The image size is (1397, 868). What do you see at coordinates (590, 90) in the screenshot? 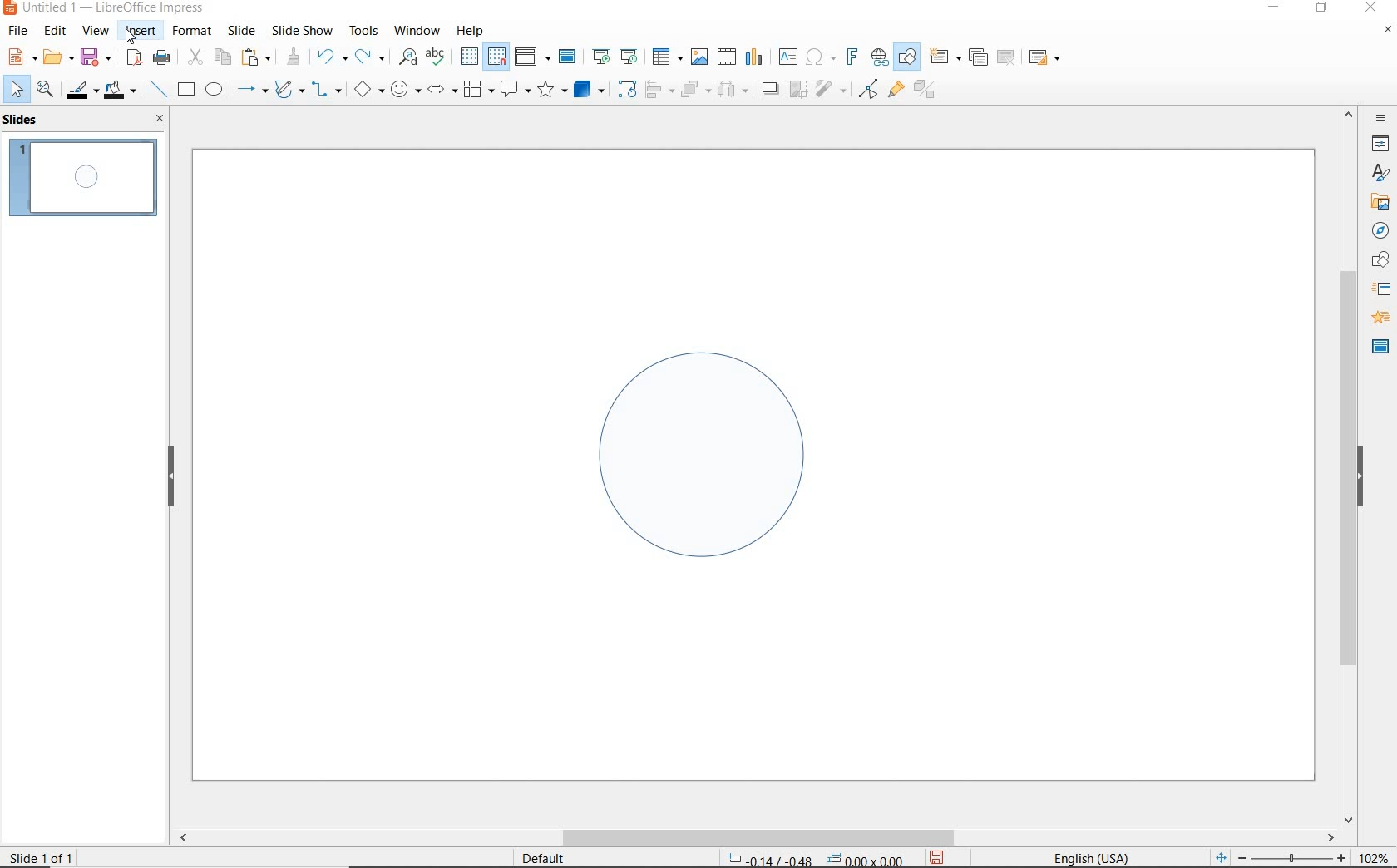
I see `3d objects` at bounding box center [590, 90].